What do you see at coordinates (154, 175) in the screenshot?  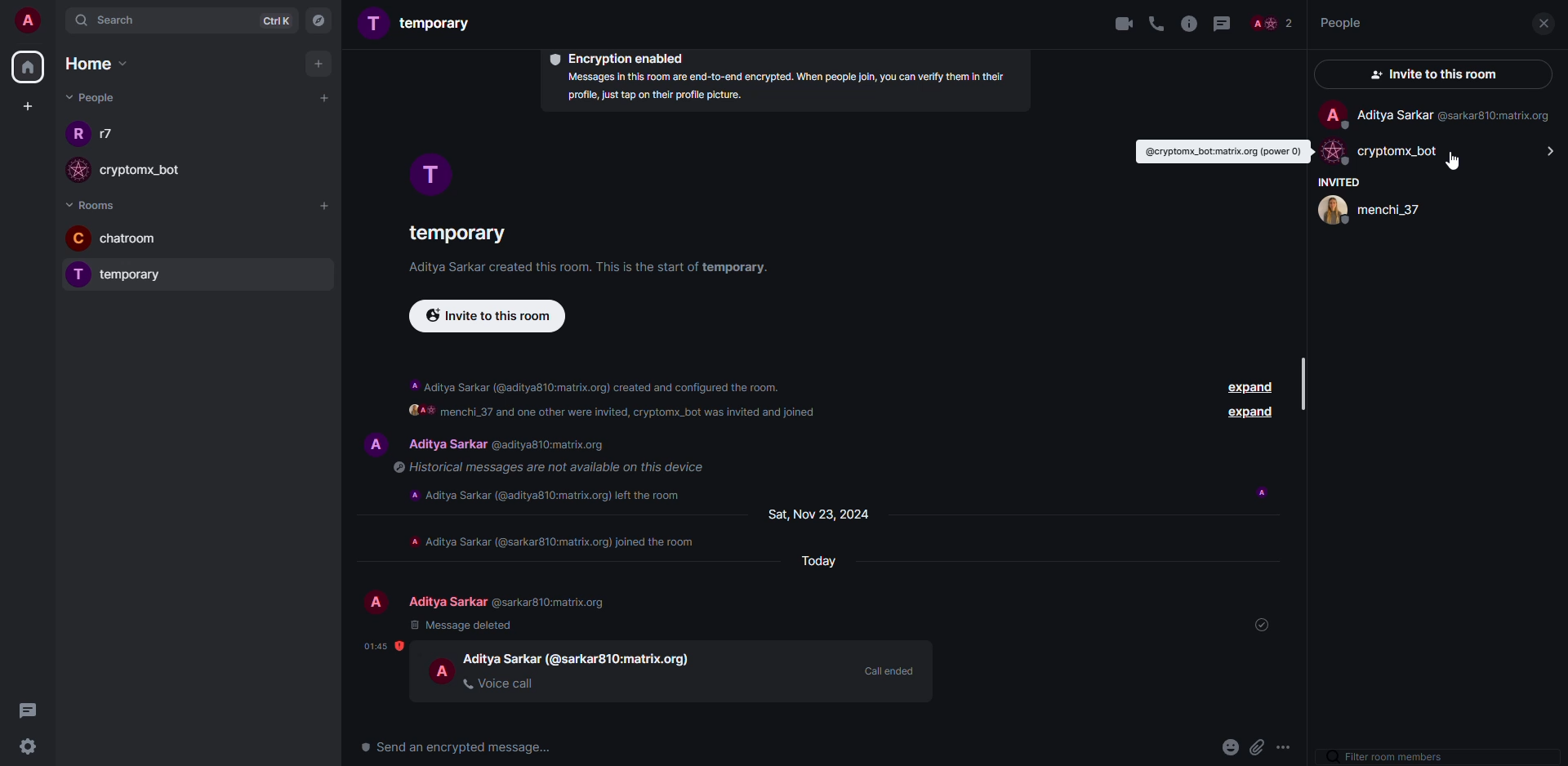 I see `people` at bounding box center [154, 175].